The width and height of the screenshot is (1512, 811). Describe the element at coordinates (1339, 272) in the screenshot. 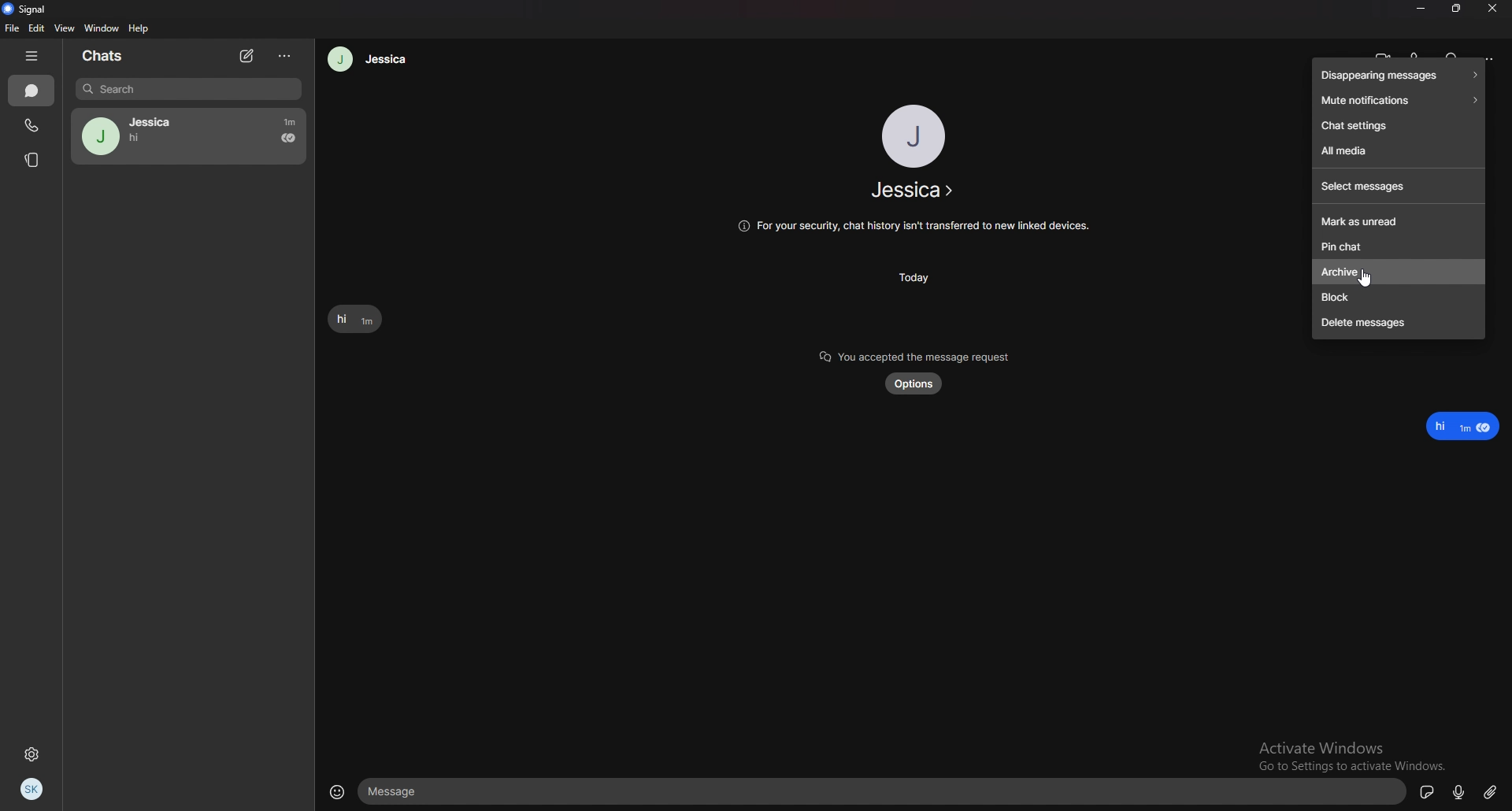

I see `archive` at that location.